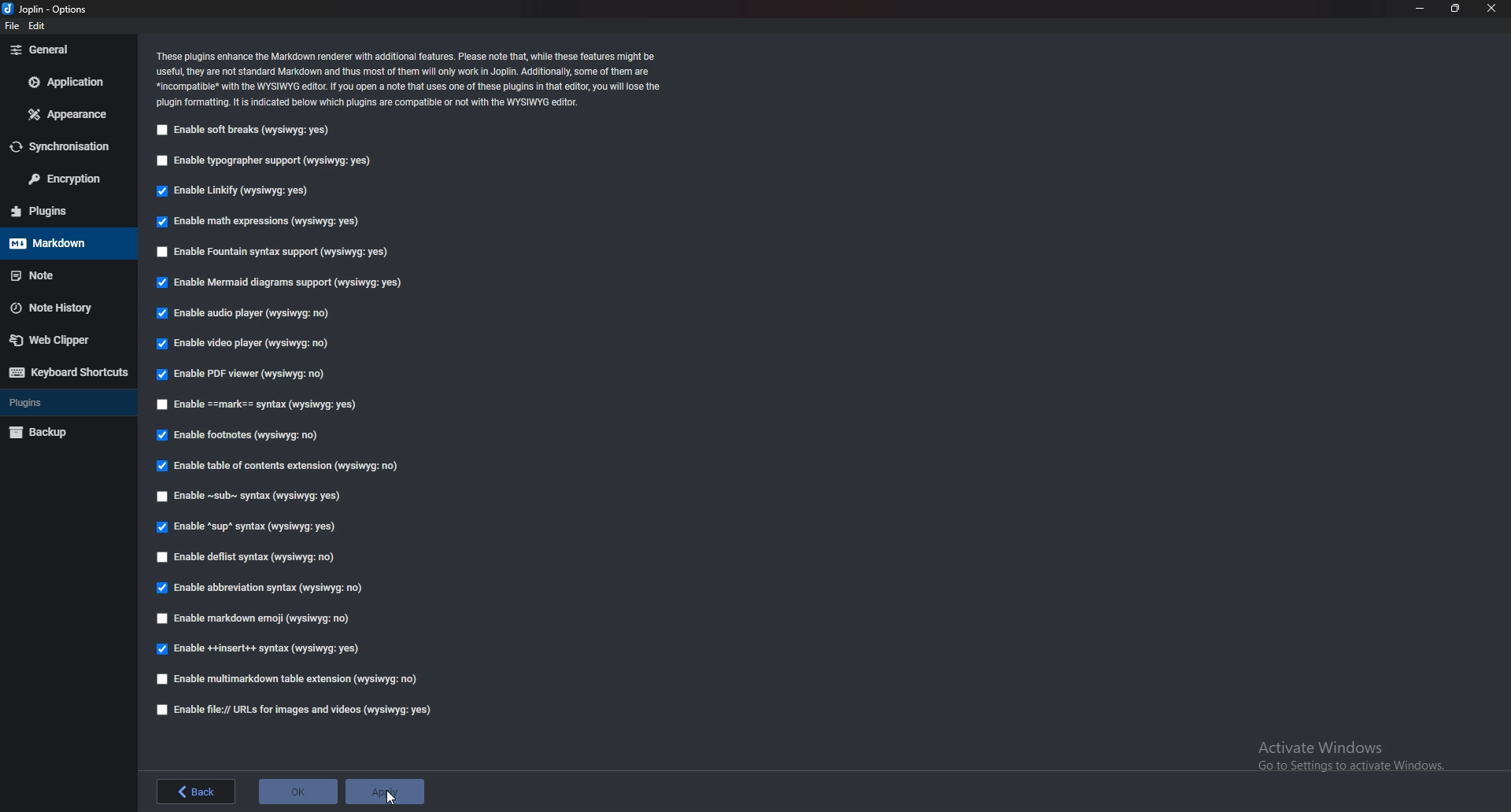  Describe the element at coordinates (1421, 8) in the screenshot. I see `minimize` at that location.